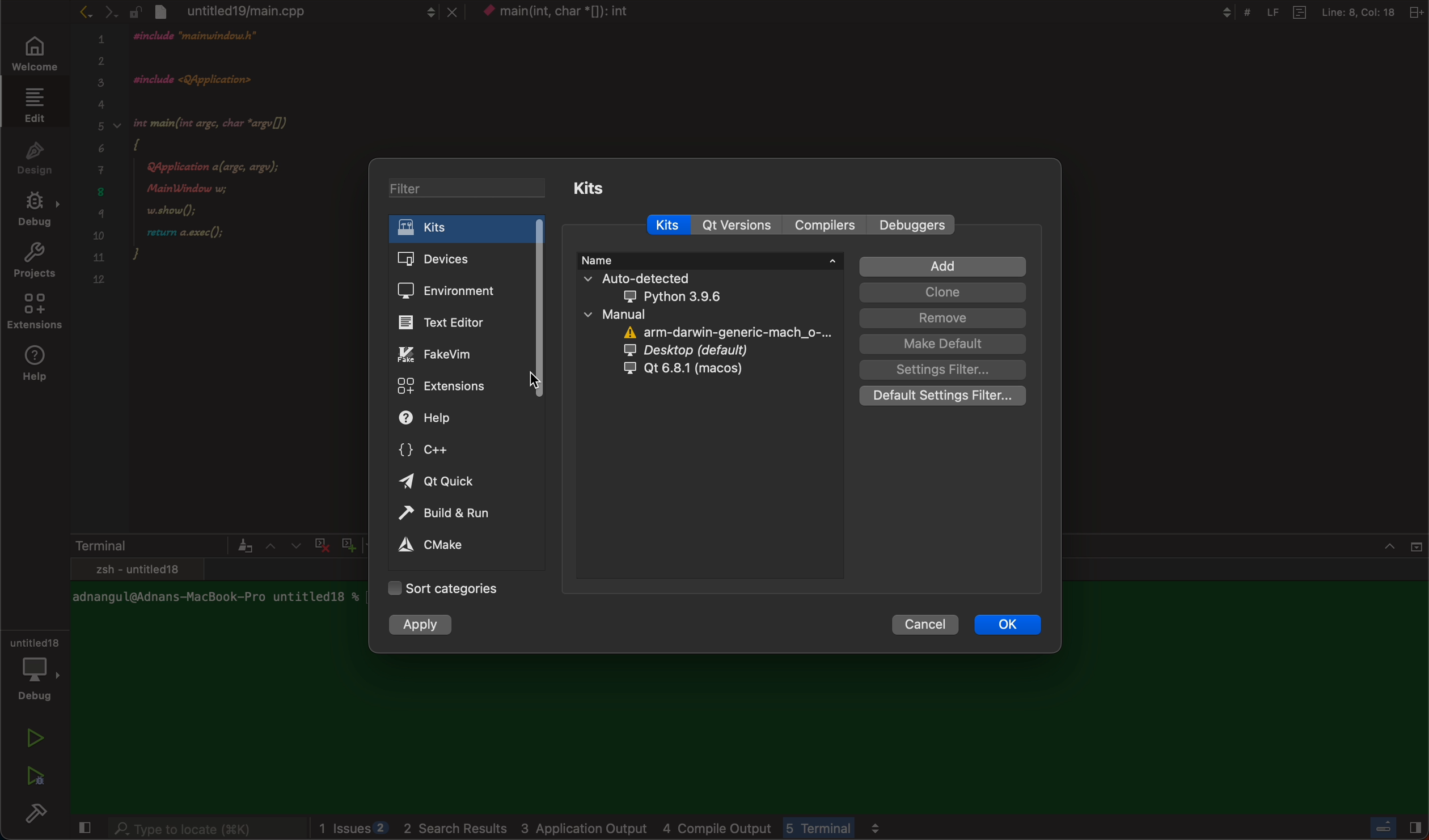 The image size is (1429, 840). I want to click on c++, so click(458, 449).